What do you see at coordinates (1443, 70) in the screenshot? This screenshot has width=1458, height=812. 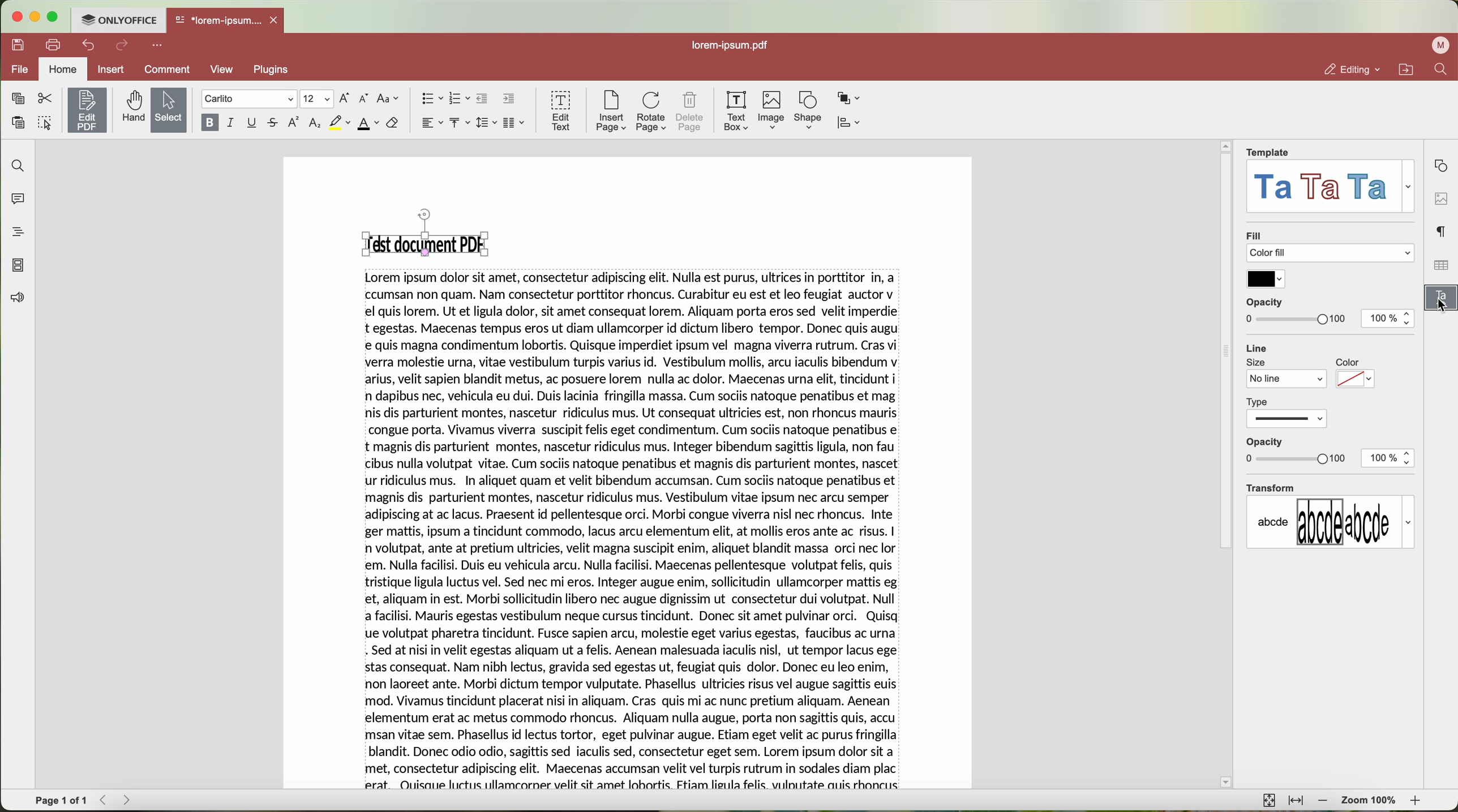 I see `find` at bounding box center [1443, 70].